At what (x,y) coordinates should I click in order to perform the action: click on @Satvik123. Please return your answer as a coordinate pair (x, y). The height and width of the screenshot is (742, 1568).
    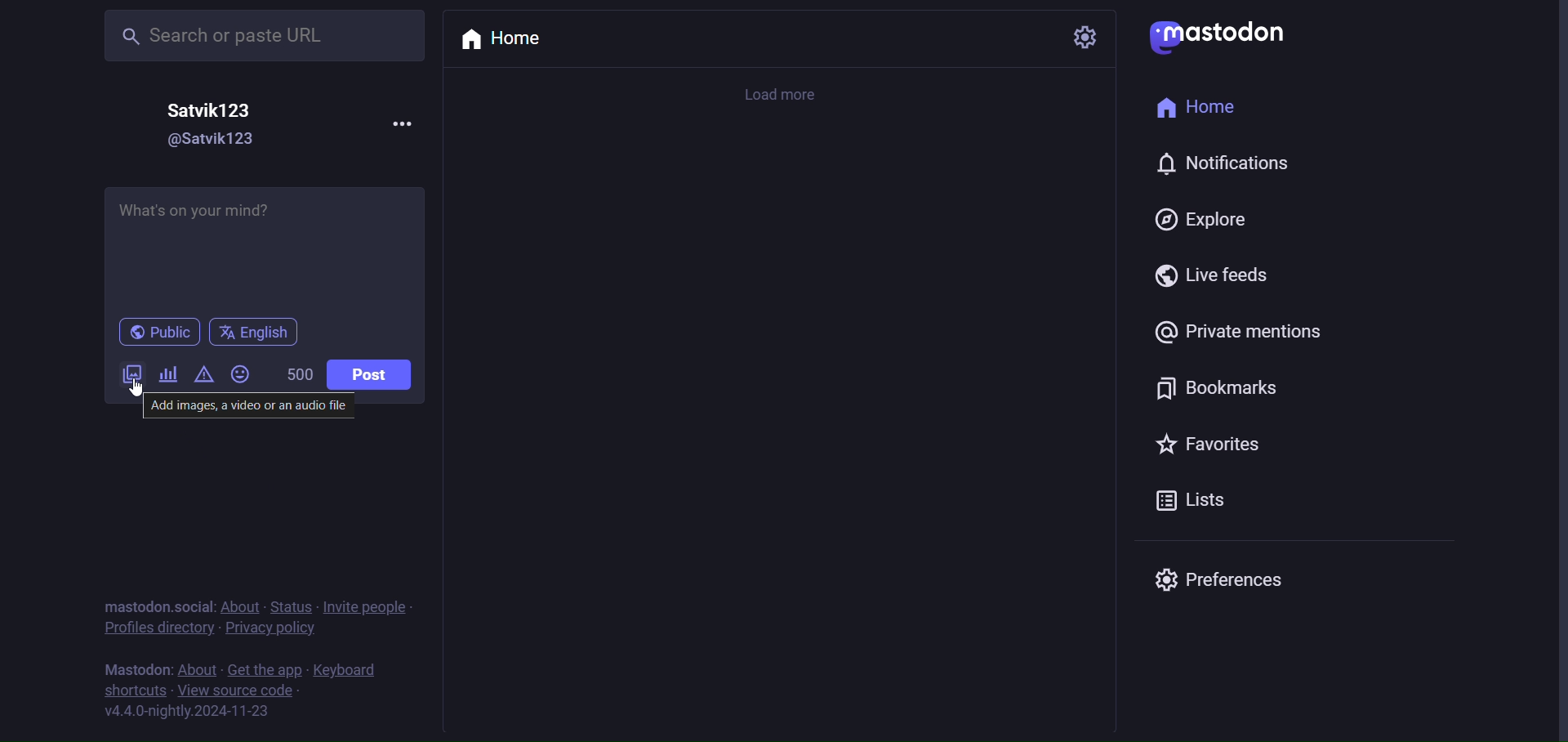
    Looking at the image, I should click on (221, 140).